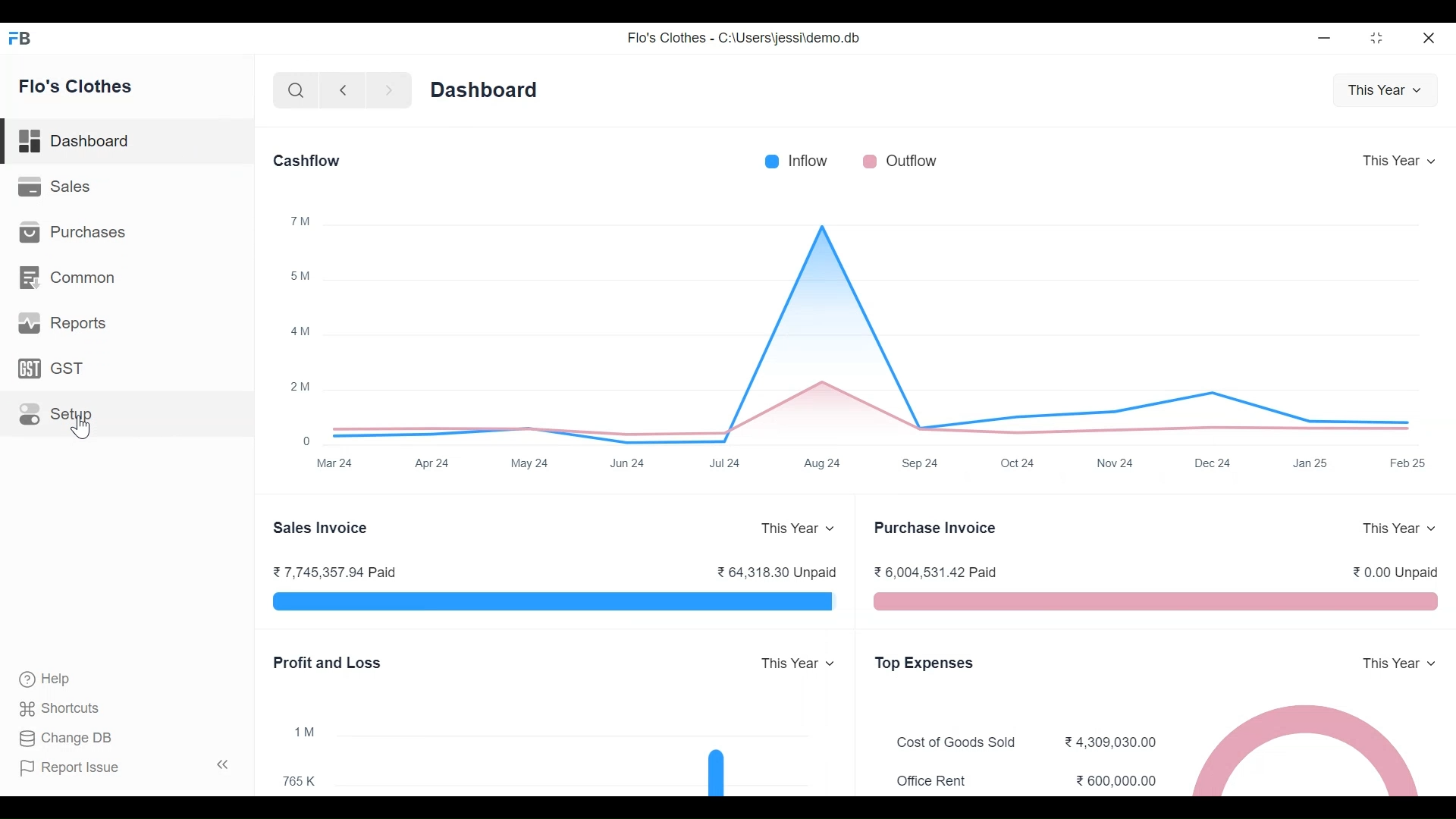  What do you see at coordinates (716, 771) in the screenshot?
I see `graph` at bounding box center [716, 771].